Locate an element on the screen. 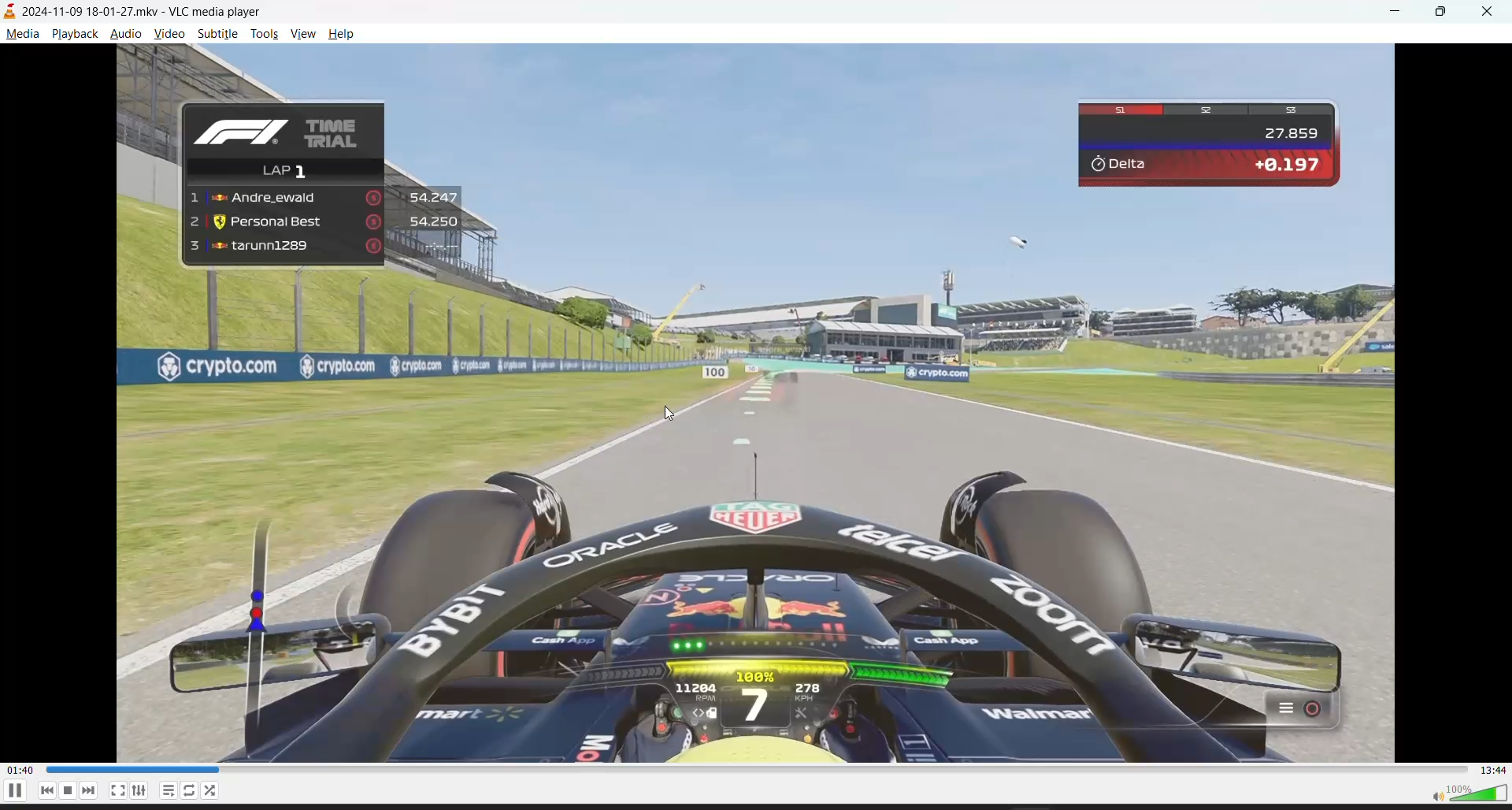 The height and width of the screenshot is (810, 1512). minimize is located at coordinates (1390, 12).